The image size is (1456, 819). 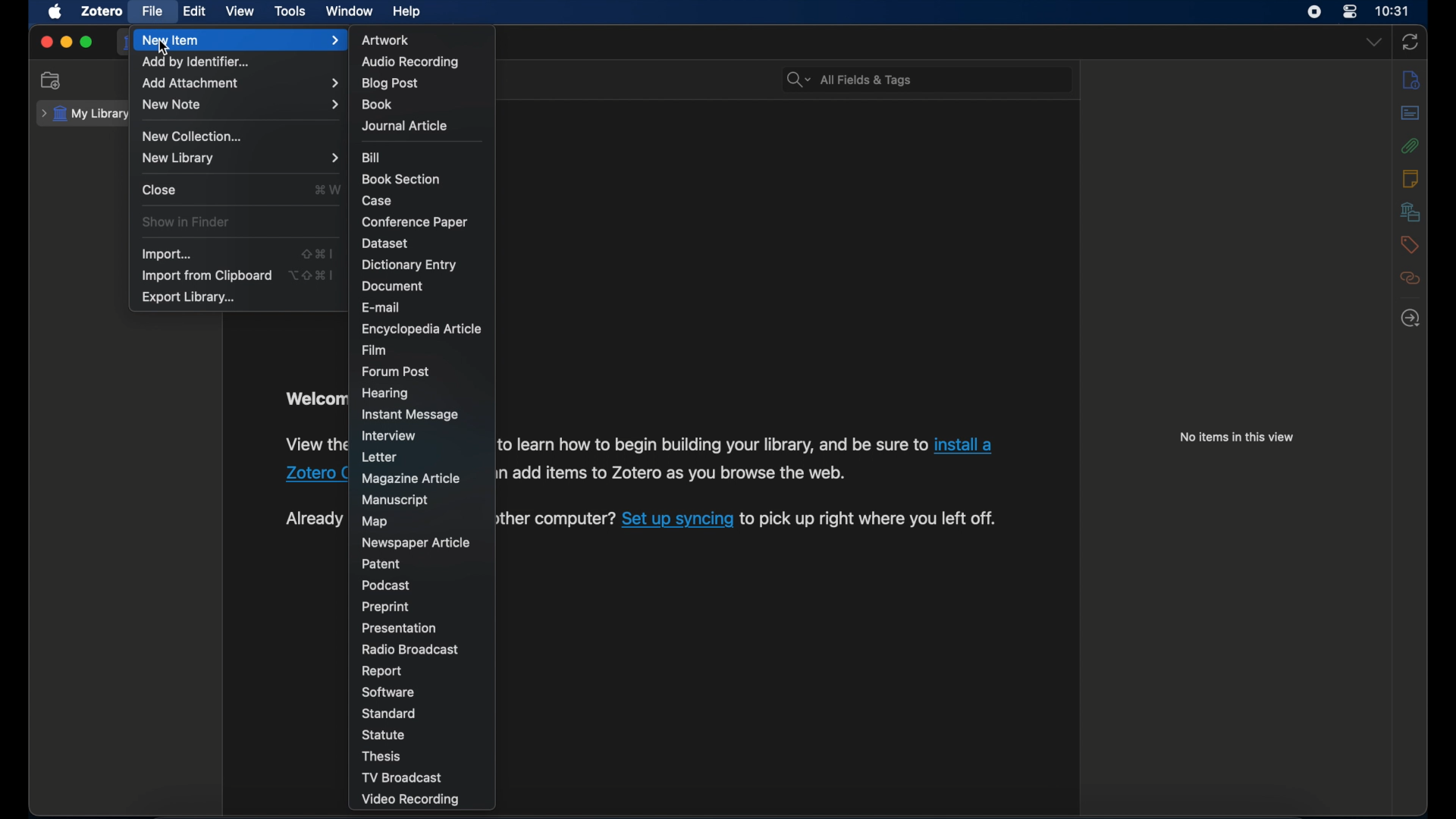 What do you see at coordinates (1314, 12) in the screenshot?
I see `screen recorder` at bounding box center [1314, 12].